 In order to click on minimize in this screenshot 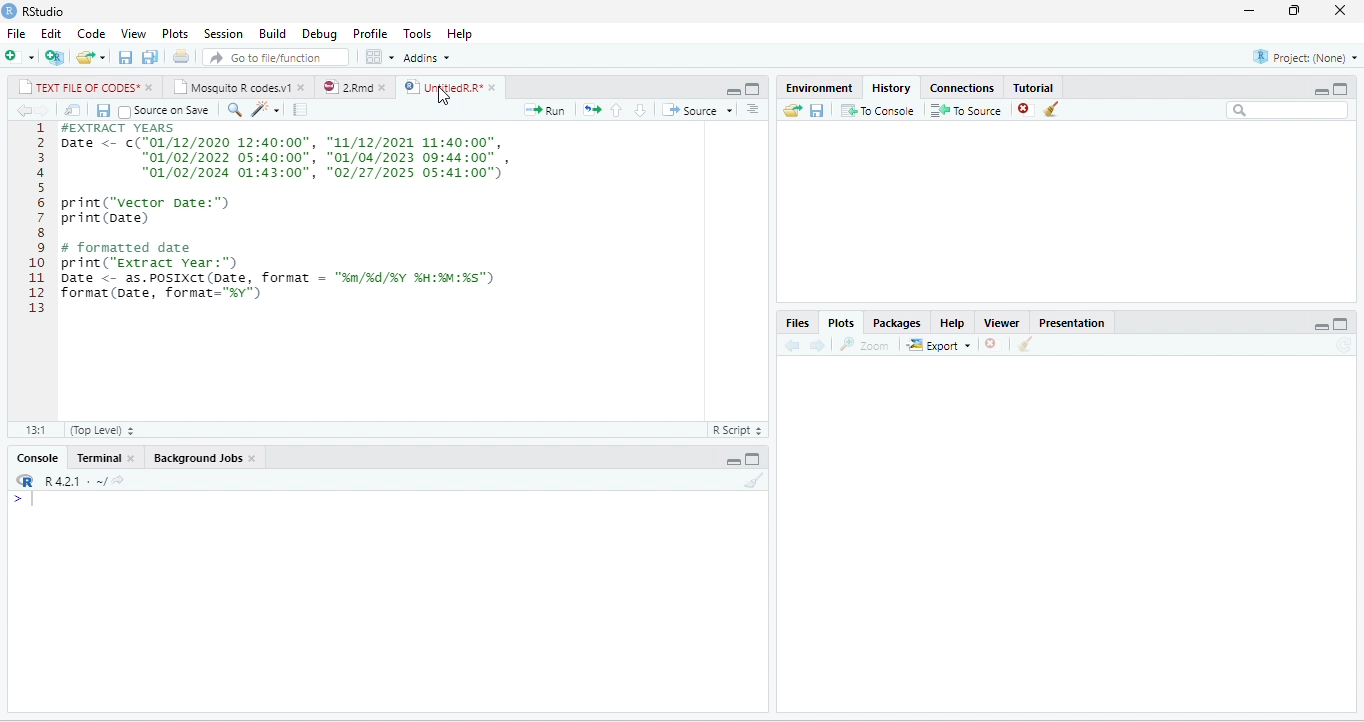, I will do `click(1250, 11)`.